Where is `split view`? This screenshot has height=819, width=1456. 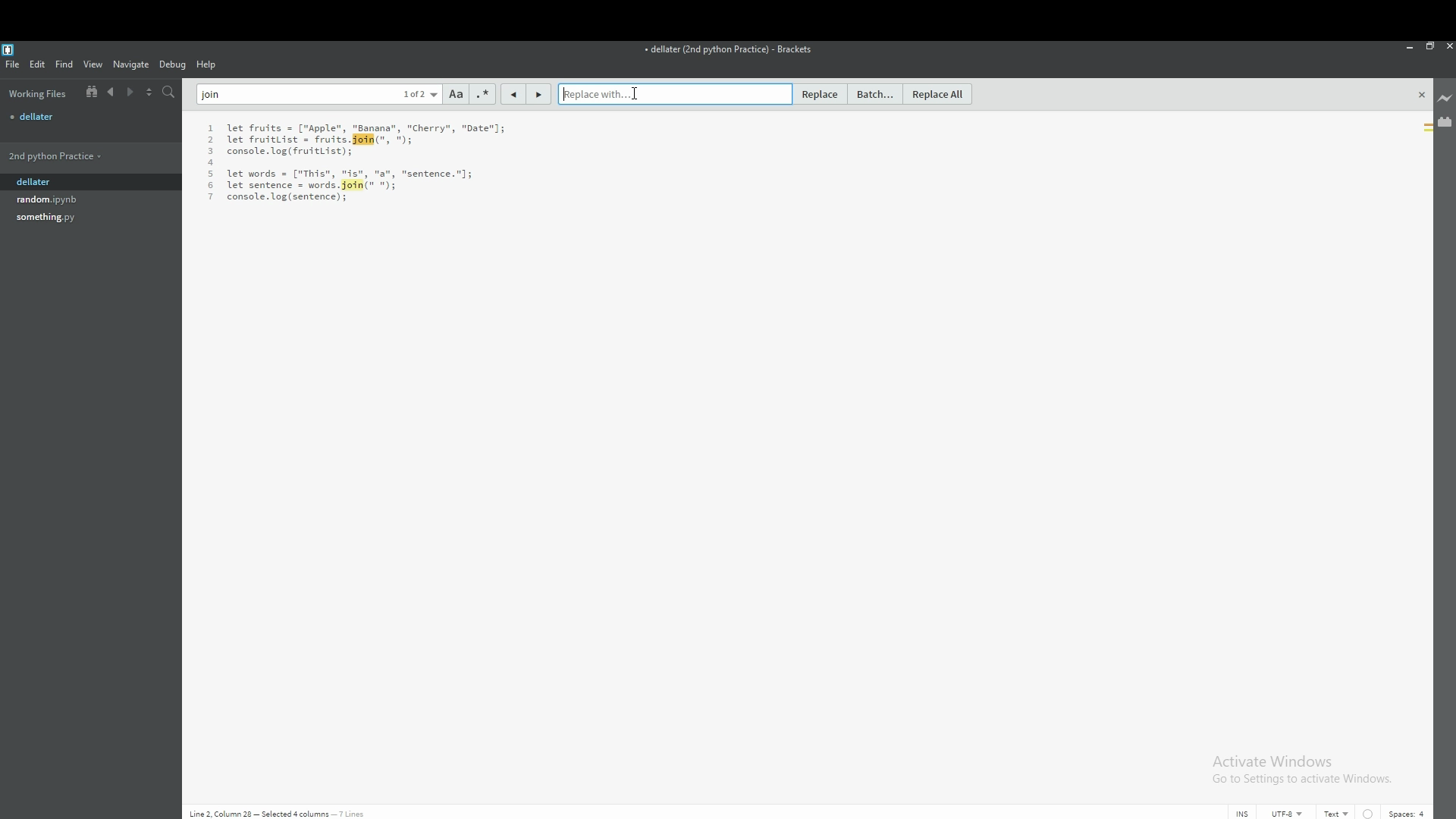
split view is located at coordinates (150, 91).